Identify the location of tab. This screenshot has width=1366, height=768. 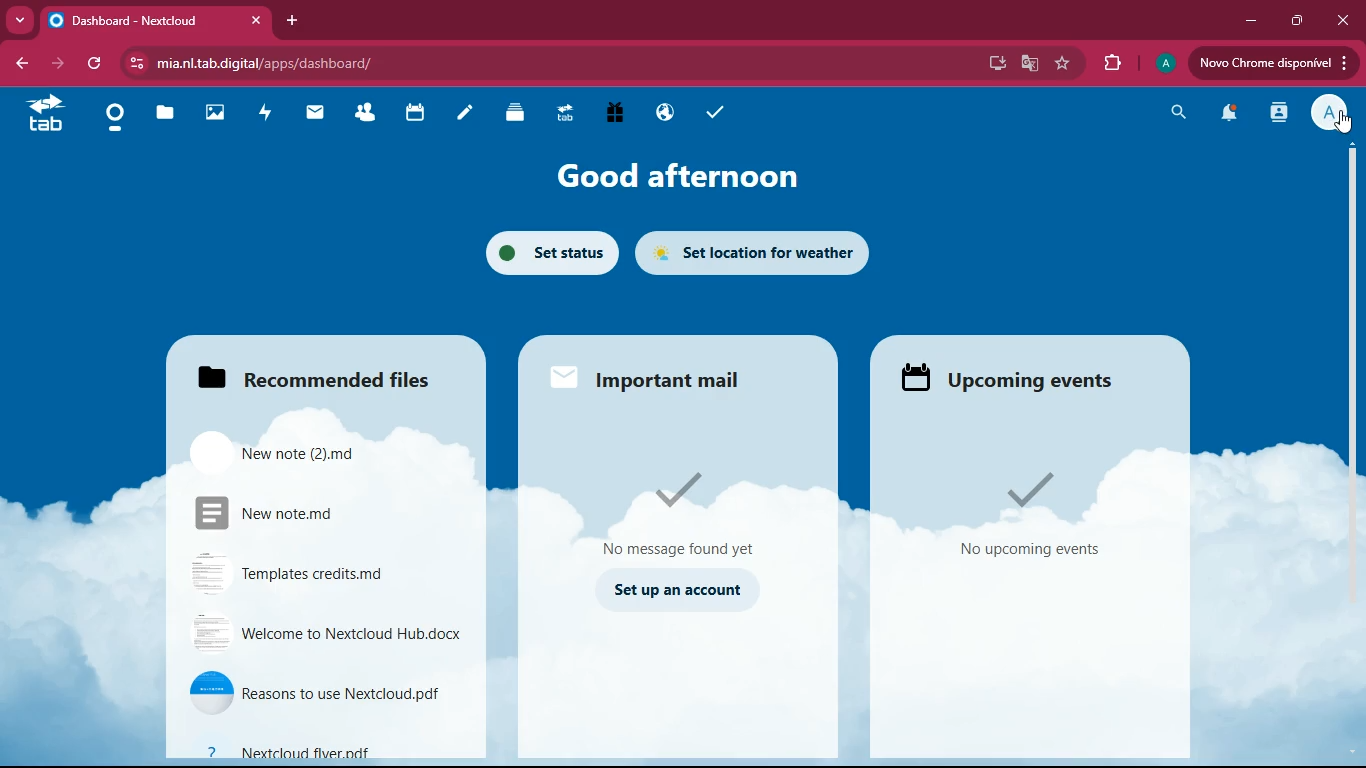
(44, 122).